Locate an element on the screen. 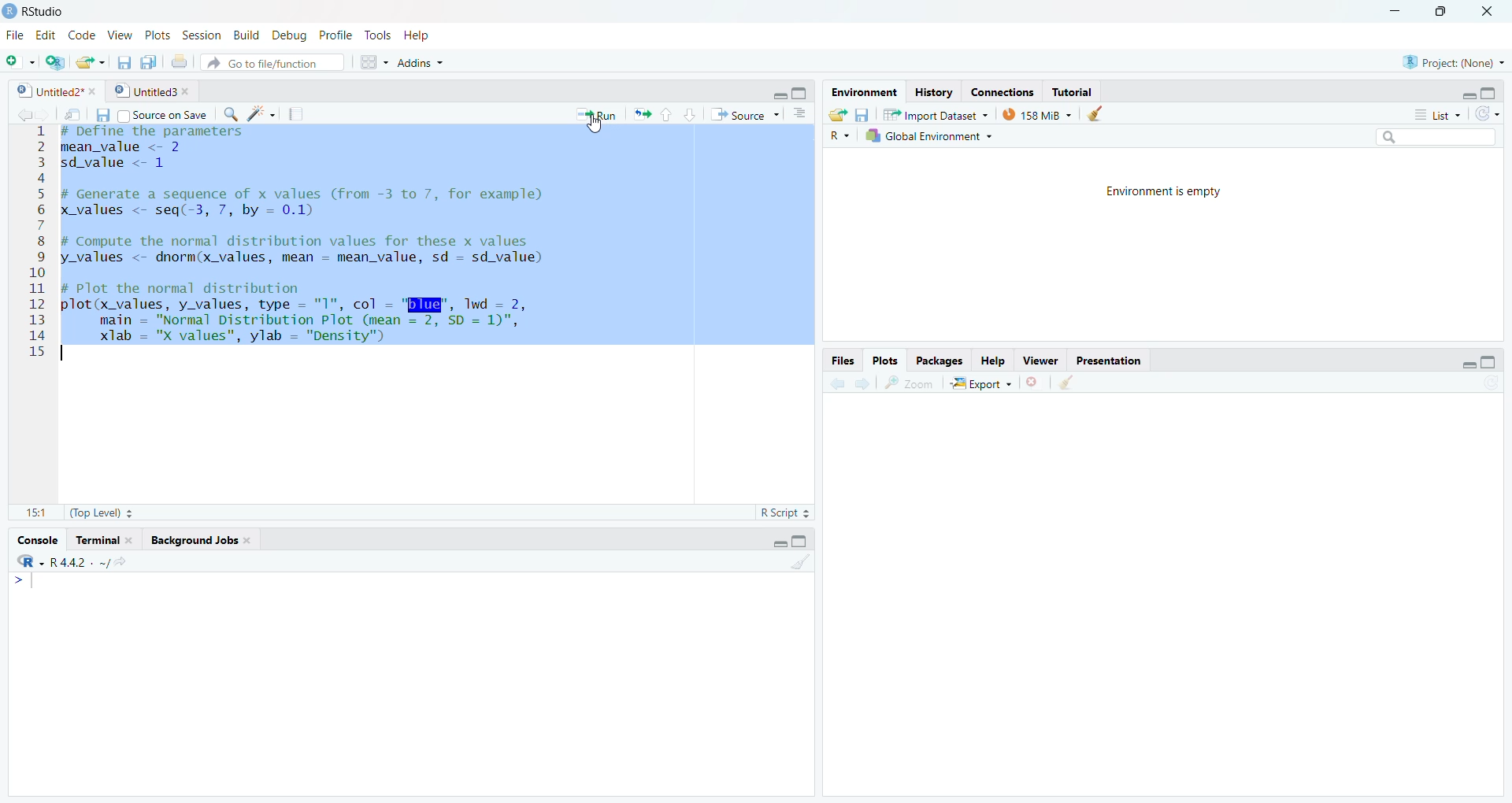  find replace is located at coordinates (229, 113).